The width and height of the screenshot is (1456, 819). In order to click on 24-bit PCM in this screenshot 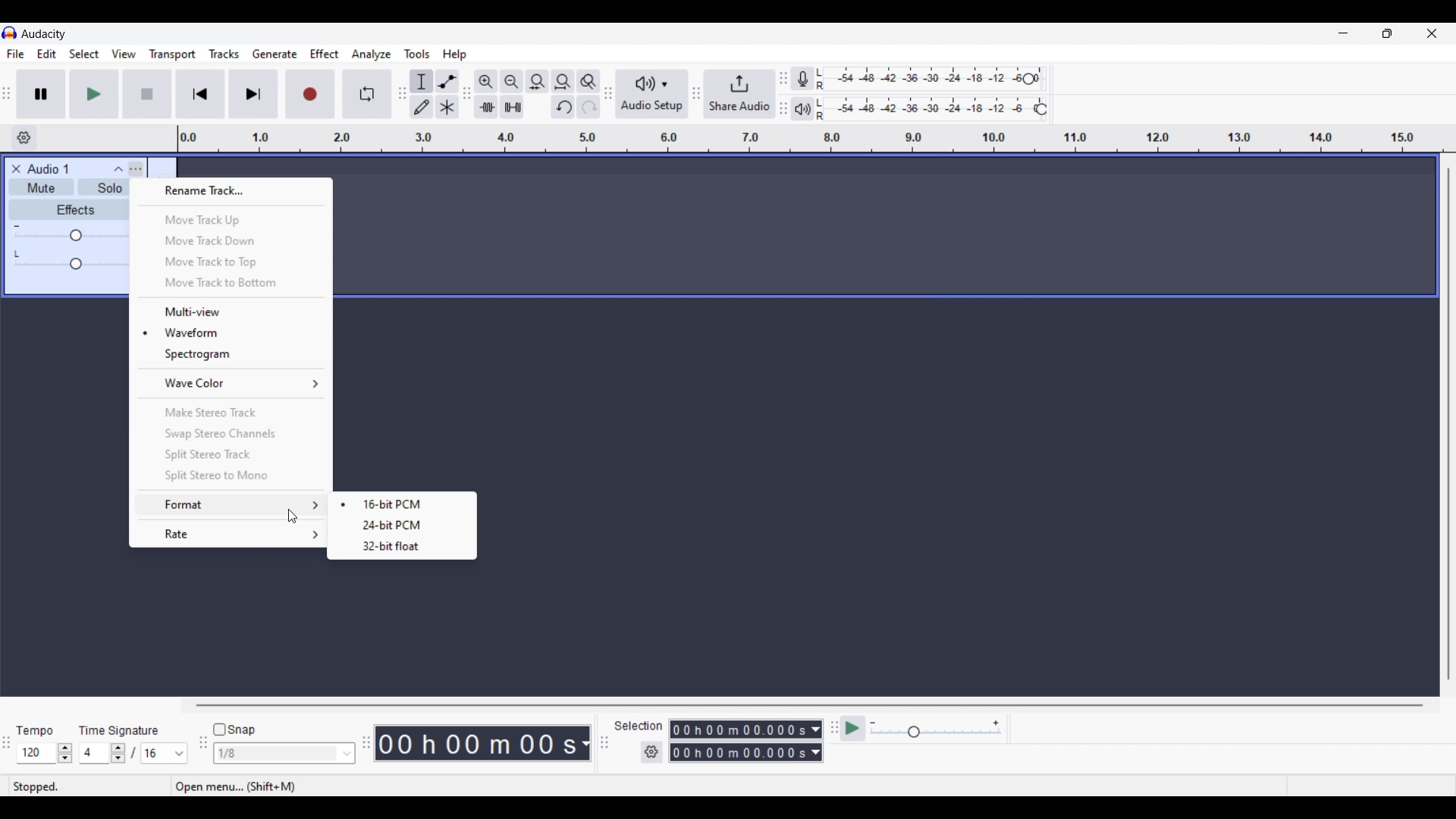, I will do `click(398, 525)`.